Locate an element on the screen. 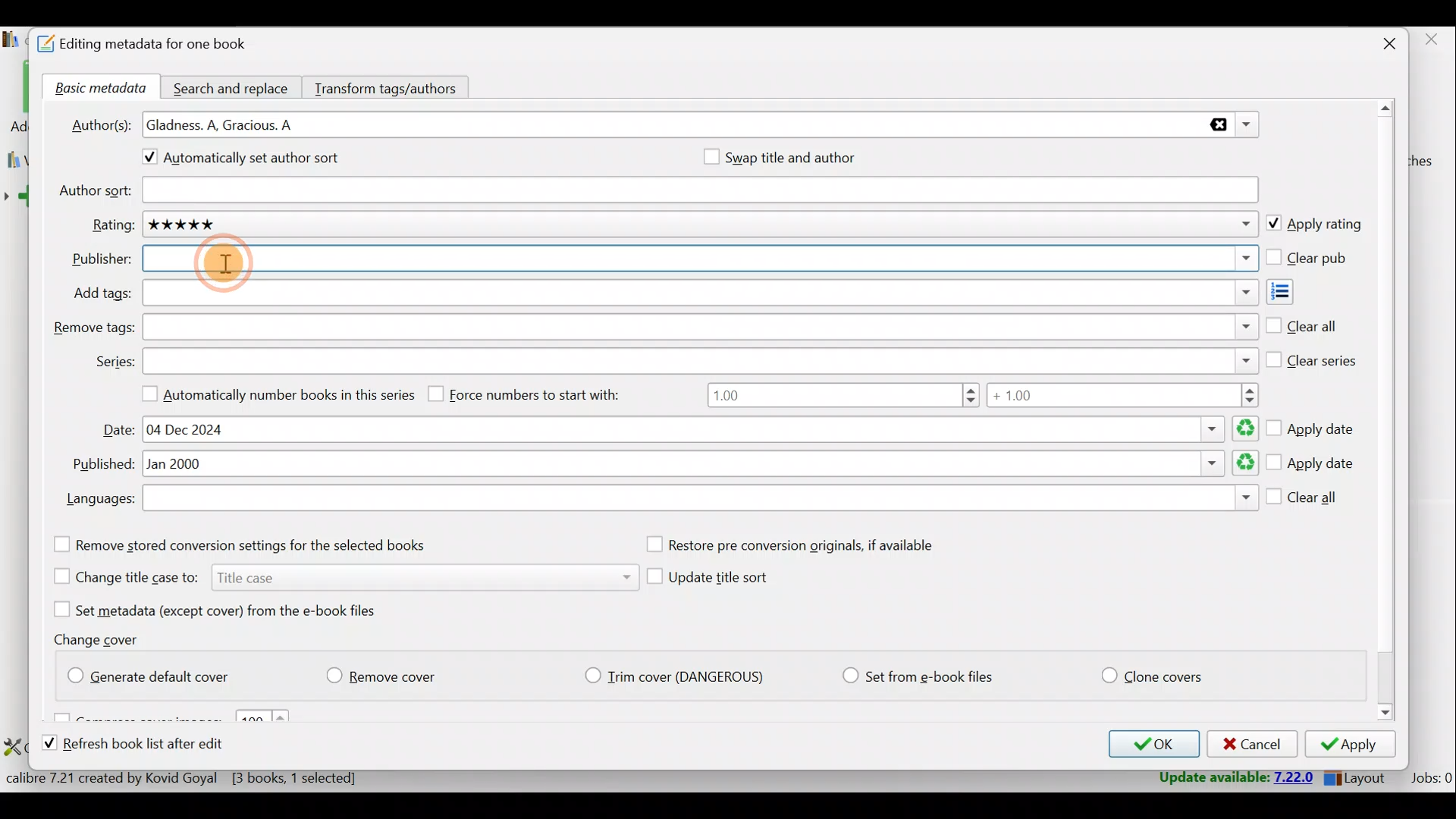  Remove tags: is located at coordinates (93, 328).